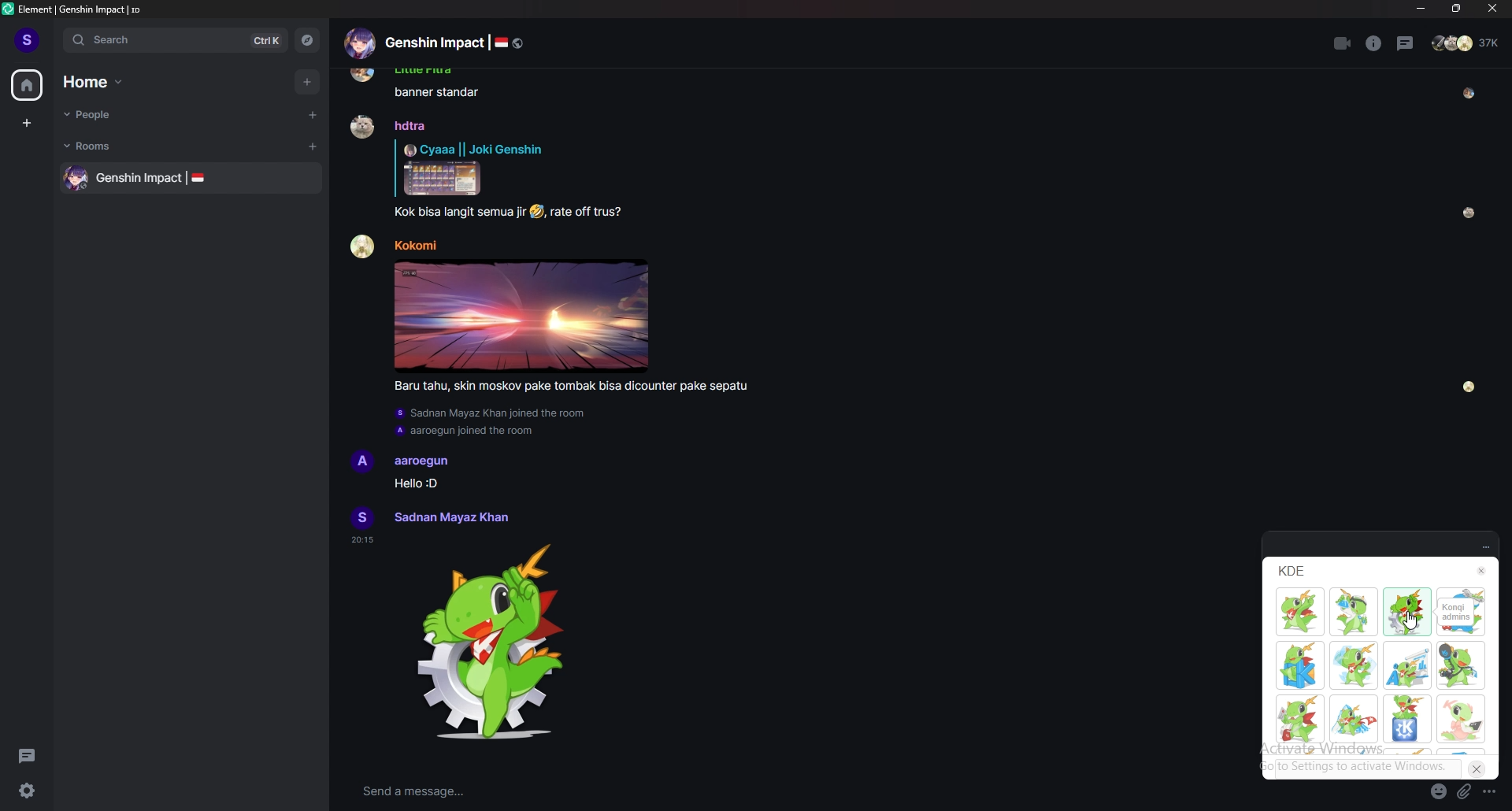 Image resolution: width=1512 pixels, height=811 pixels. Describe the element at coordinates (501, 43) in the screenshot. I see `Indonesian flag` at that location.